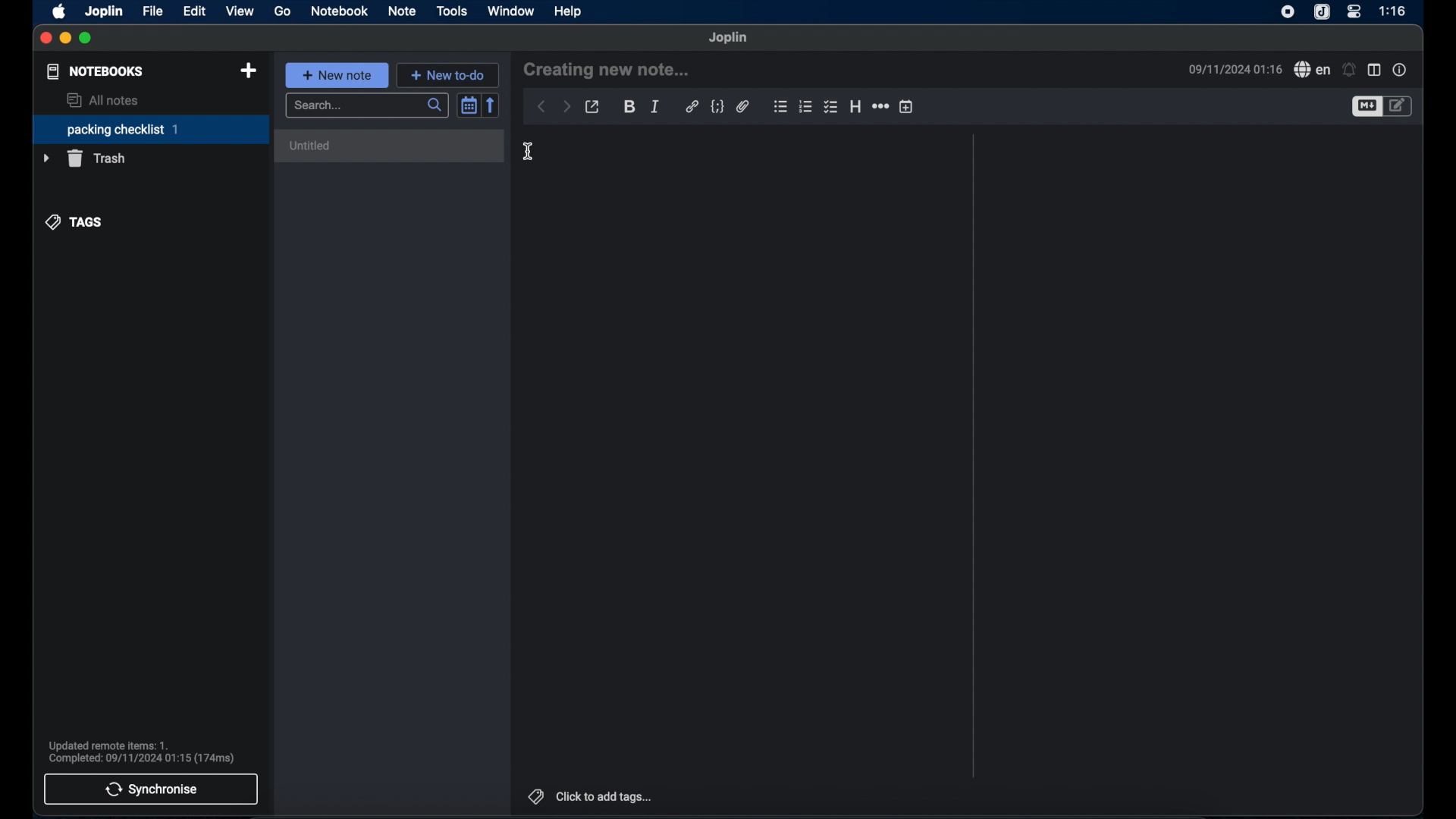 This screenshot has height=819, width=1456. I want to click on toggle sort order field, so click(468, 105).